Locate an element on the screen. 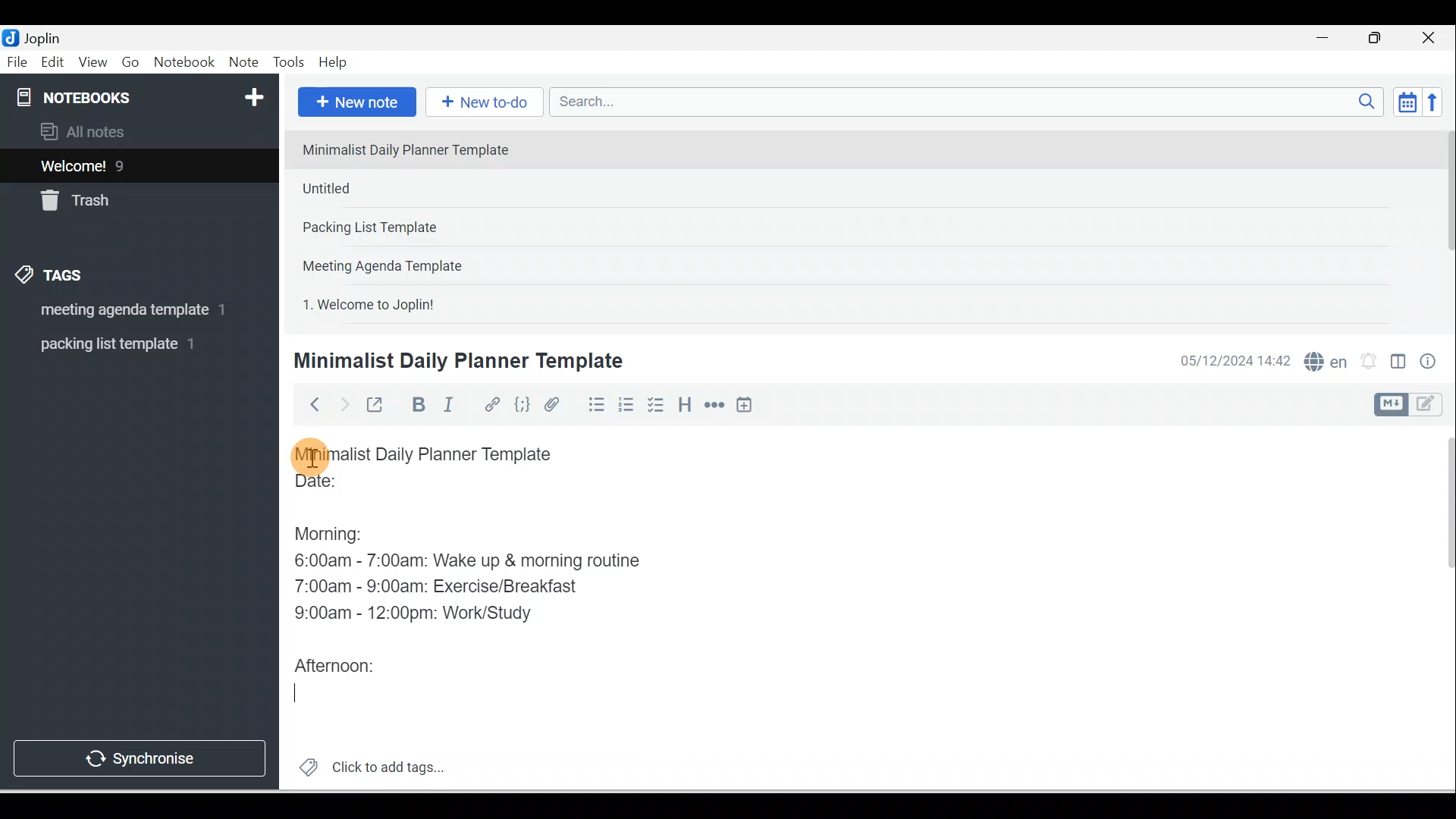 This screenshot has height=819, width=1456. Horizontal rule is located at coordinates (716, 405).